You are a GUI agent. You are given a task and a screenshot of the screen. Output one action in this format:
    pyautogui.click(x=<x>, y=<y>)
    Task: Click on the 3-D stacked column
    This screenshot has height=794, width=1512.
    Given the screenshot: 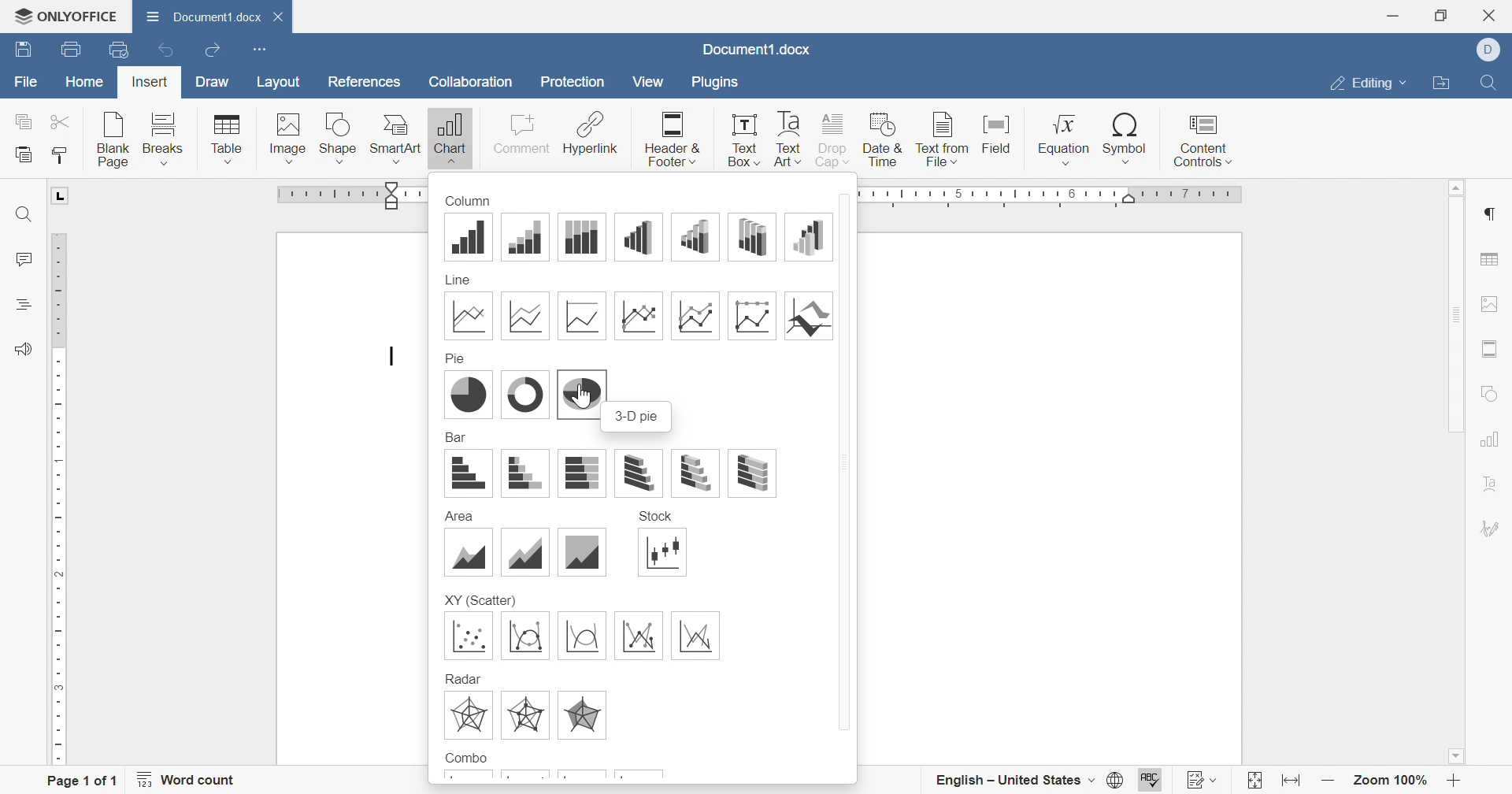 What is the action you would take?
    pyautogui.click(x=698, y=236)
    